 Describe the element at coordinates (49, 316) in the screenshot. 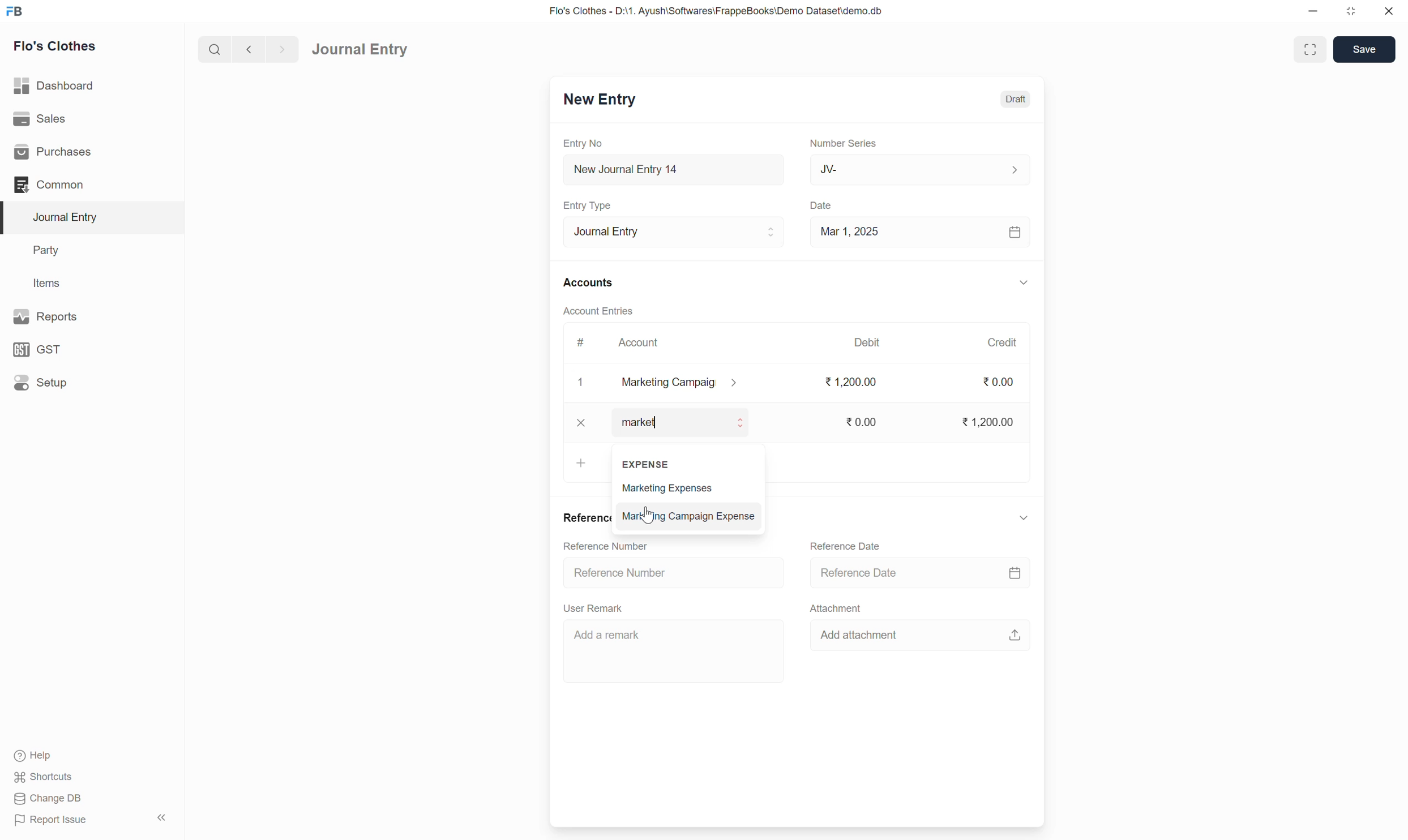

I see `Reports` at that location.